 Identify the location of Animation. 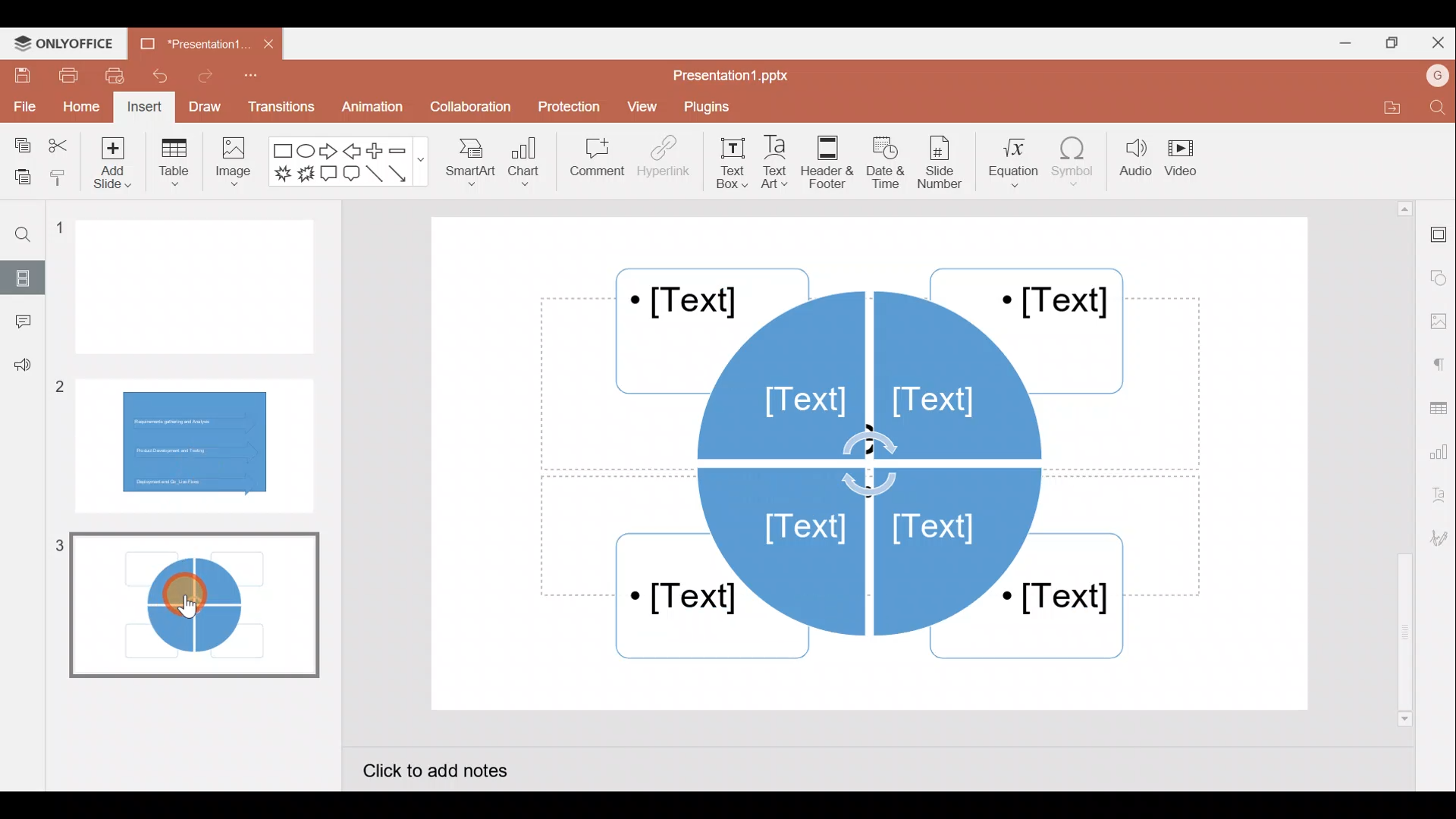
(369, 106).